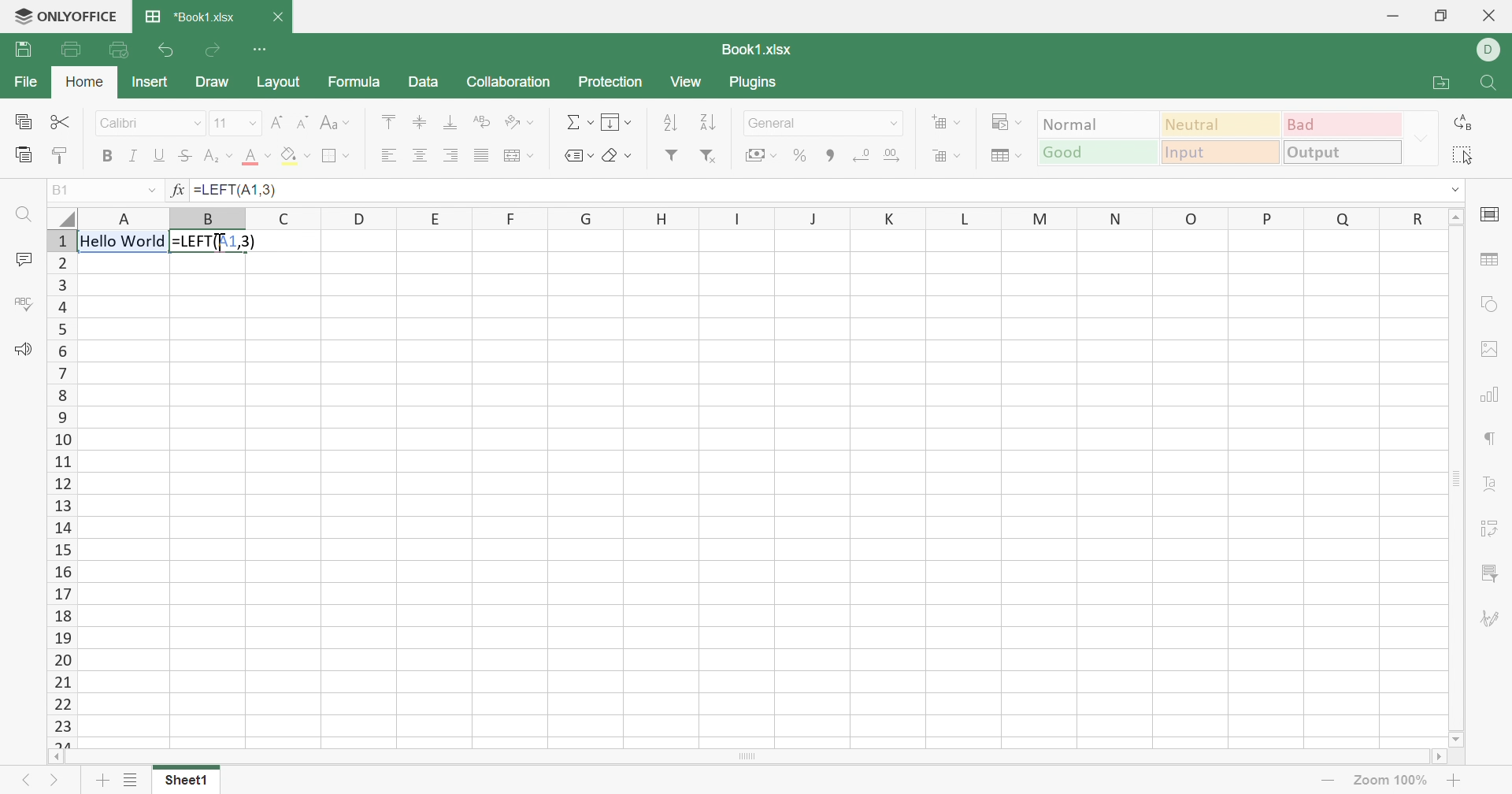 The image size is (1512, 794). I want to click on List of sheets, so click(132, 783).